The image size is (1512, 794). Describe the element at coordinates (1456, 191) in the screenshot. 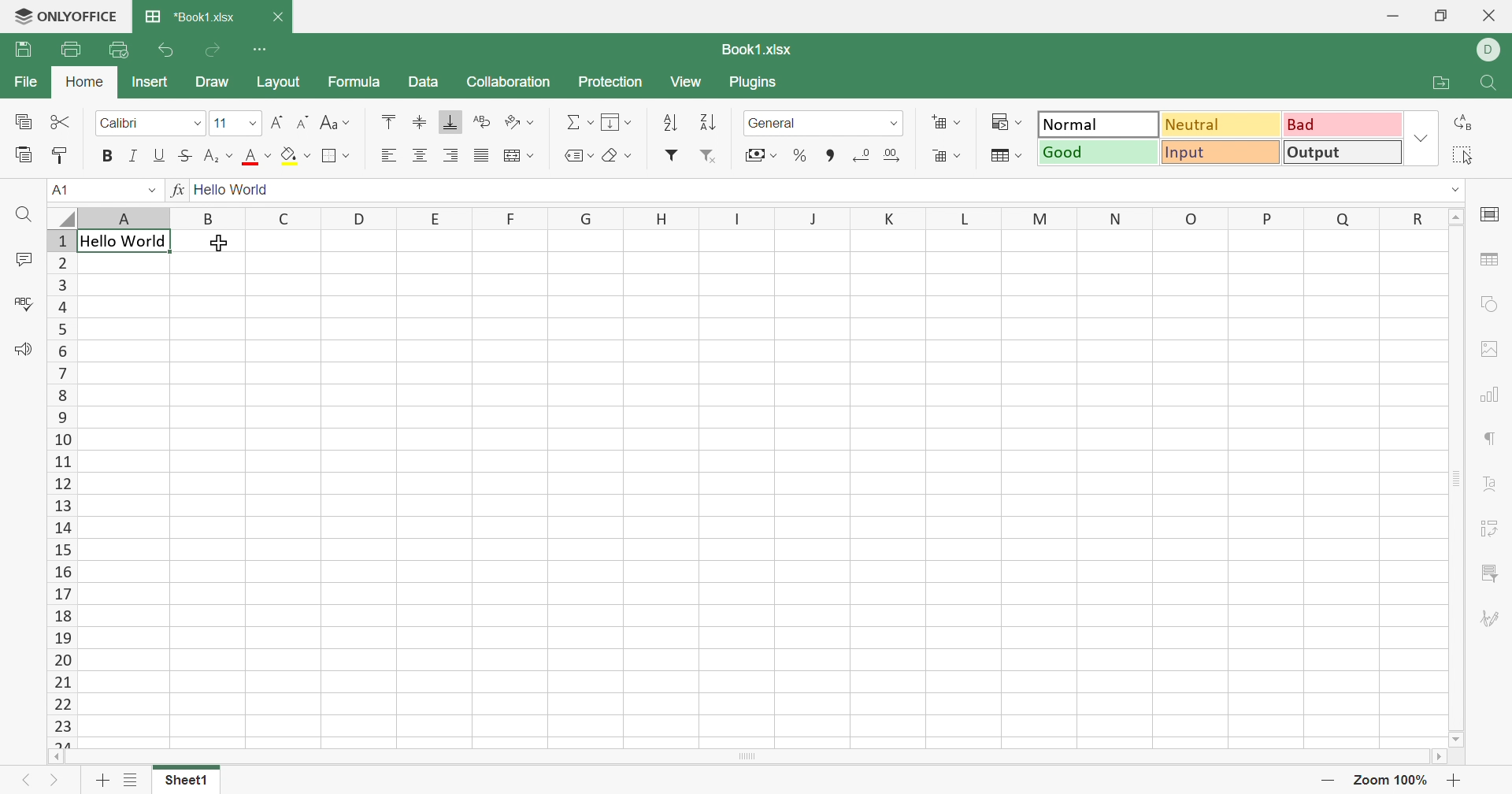

I see `Drop down` at that location.